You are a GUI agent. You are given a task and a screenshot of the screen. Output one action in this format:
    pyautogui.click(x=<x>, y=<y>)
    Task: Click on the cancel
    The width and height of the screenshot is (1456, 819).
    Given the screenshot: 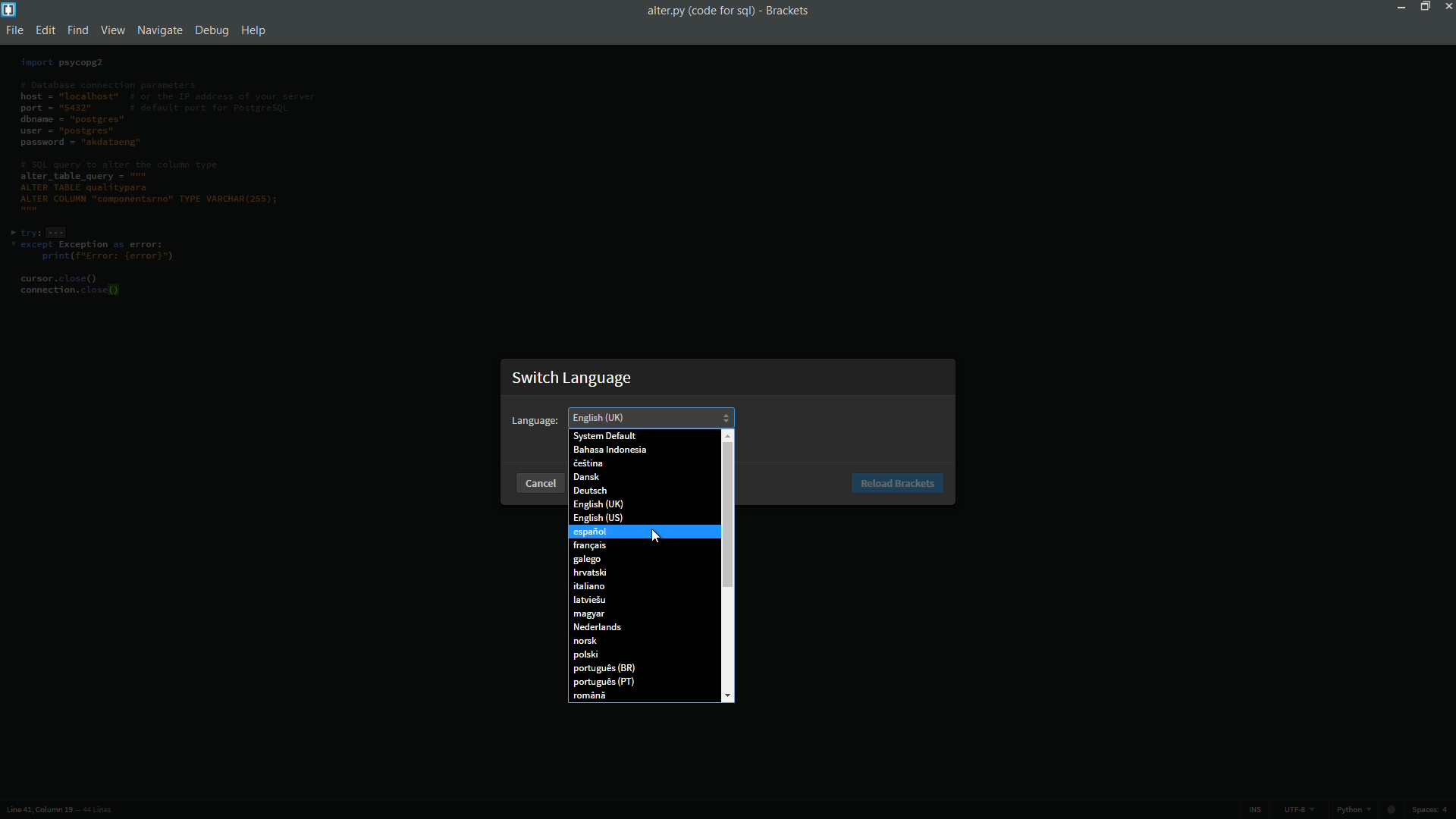 What is the action you would take?
    pyautogui.click(x=540, y=484)
    